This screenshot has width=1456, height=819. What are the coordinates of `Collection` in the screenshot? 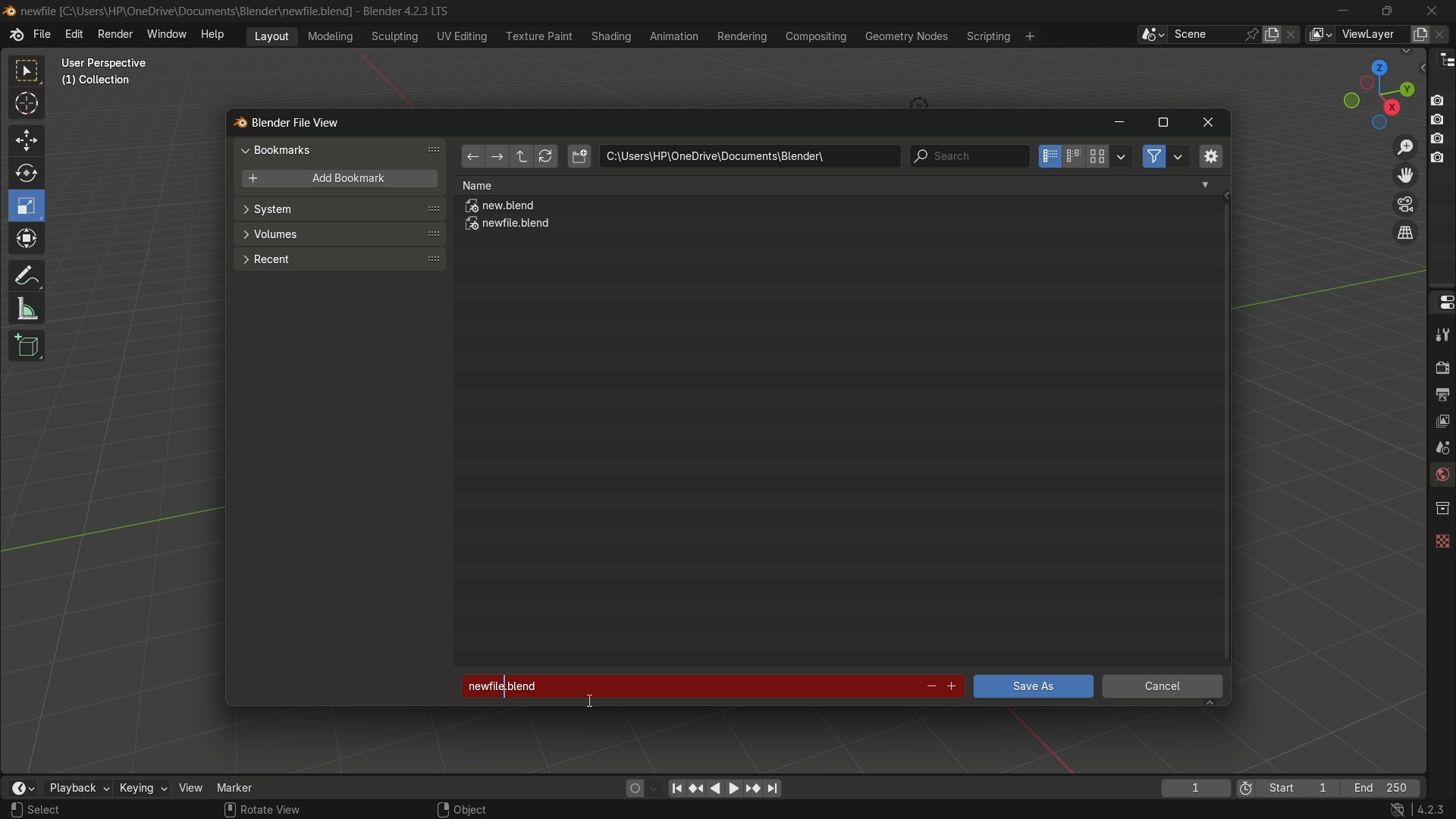 It's located at (99, 83).